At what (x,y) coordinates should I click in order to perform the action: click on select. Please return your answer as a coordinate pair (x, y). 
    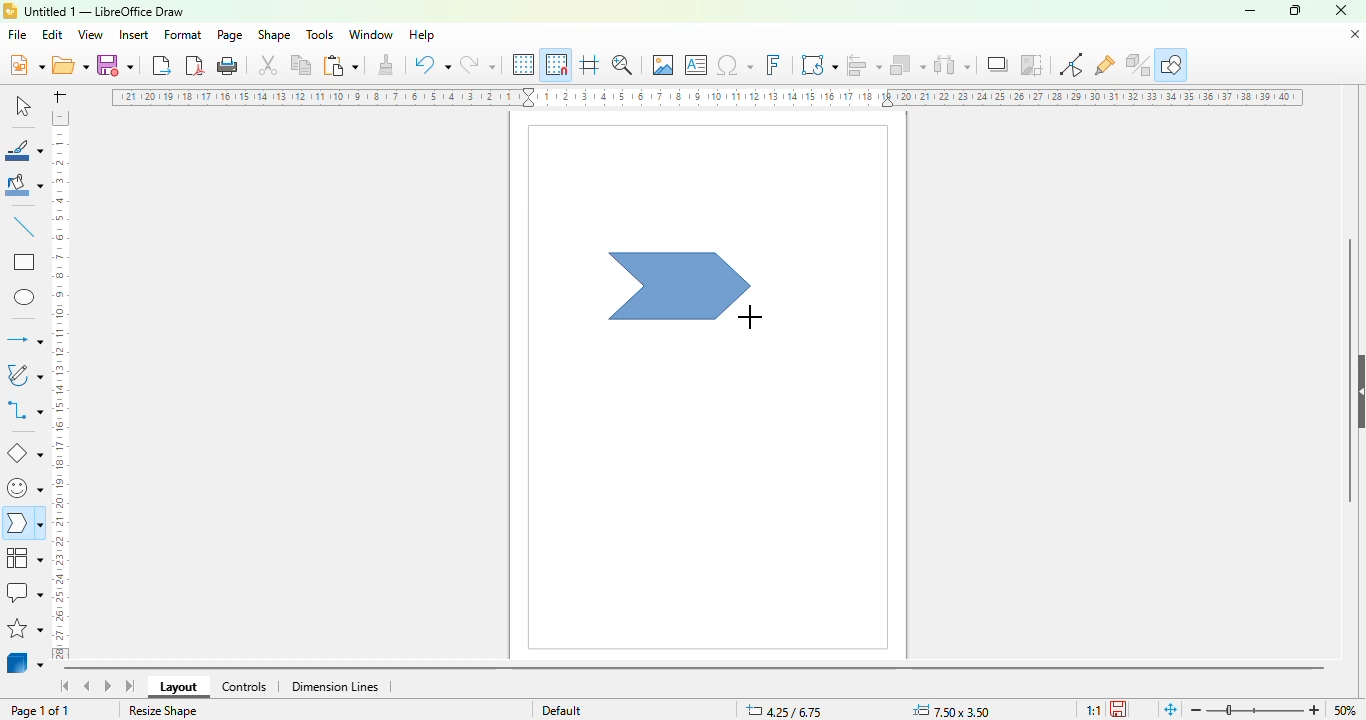
    Looking at the image, I should click on (22, 105).